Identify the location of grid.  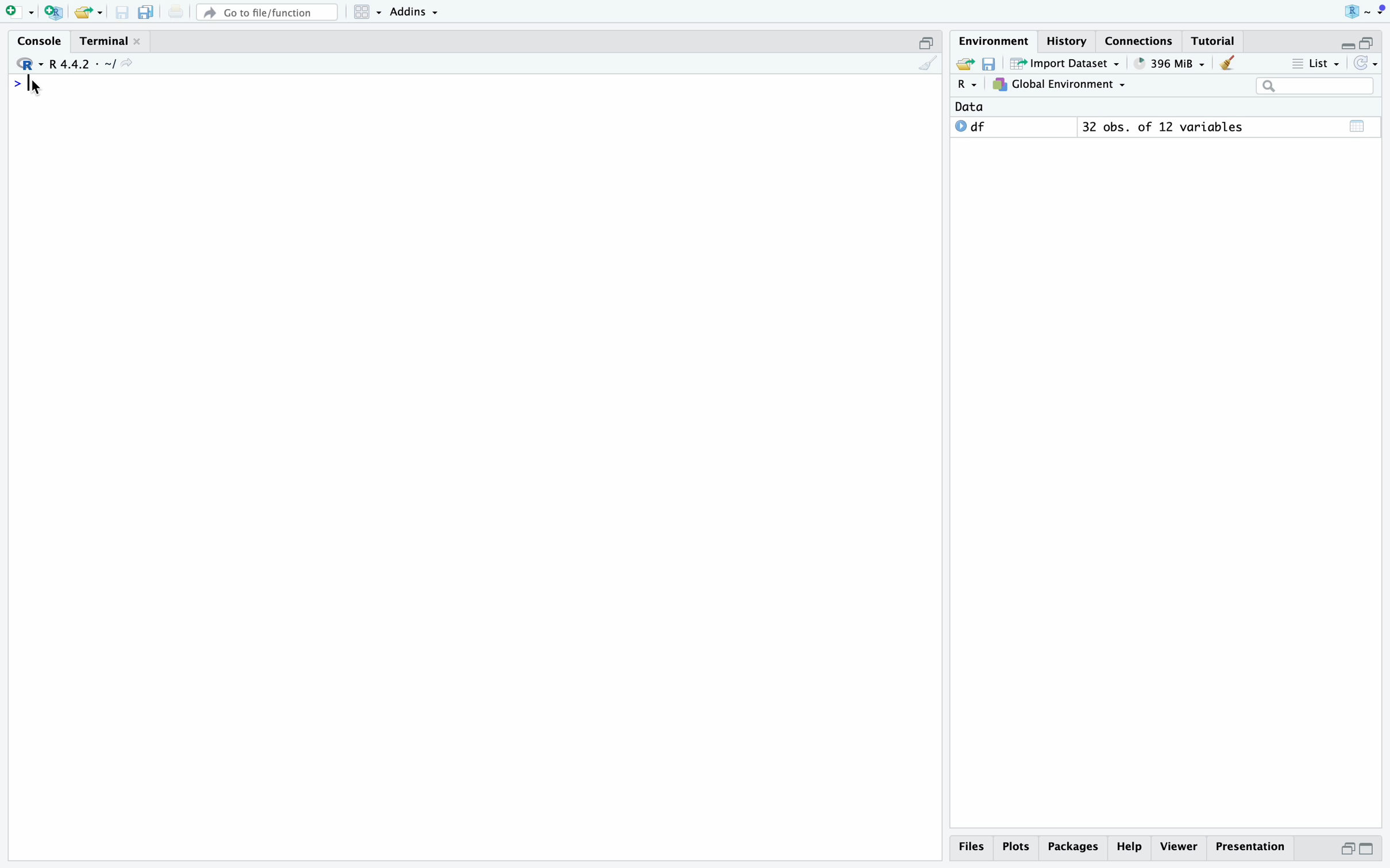
(369, 12).